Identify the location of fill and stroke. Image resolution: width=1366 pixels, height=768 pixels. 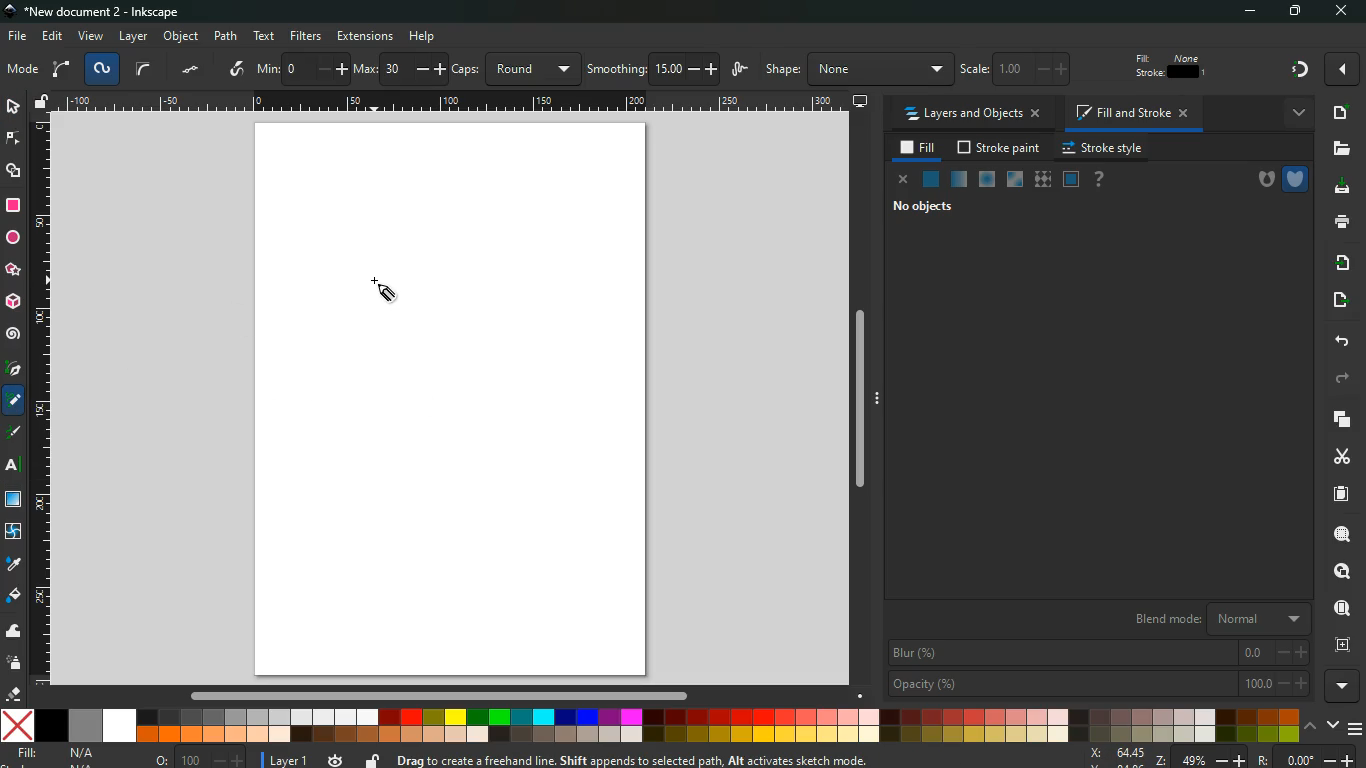
(1135, 111).